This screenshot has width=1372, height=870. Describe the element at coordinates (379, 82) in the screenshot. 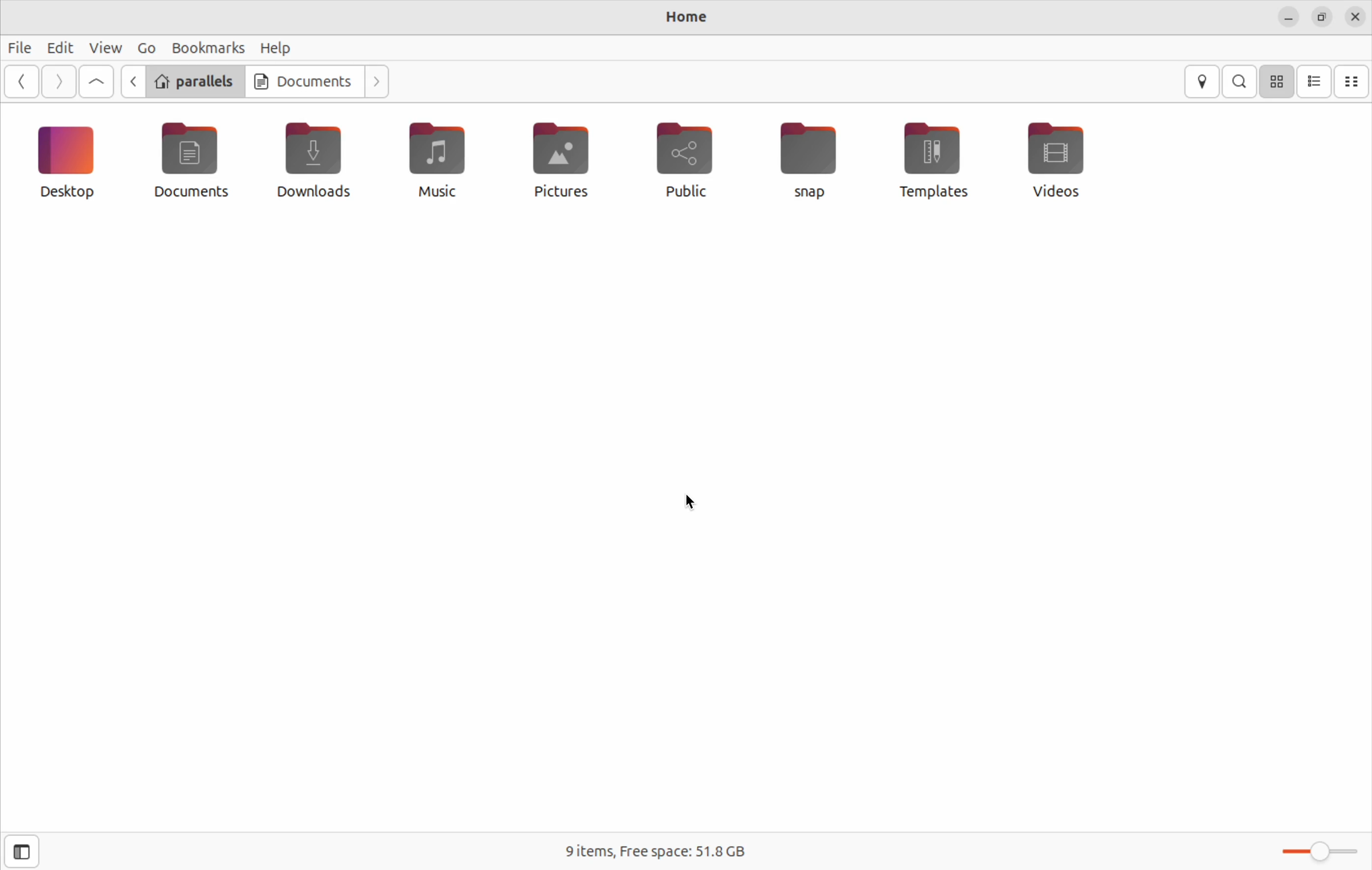

I see `forward` at that location.